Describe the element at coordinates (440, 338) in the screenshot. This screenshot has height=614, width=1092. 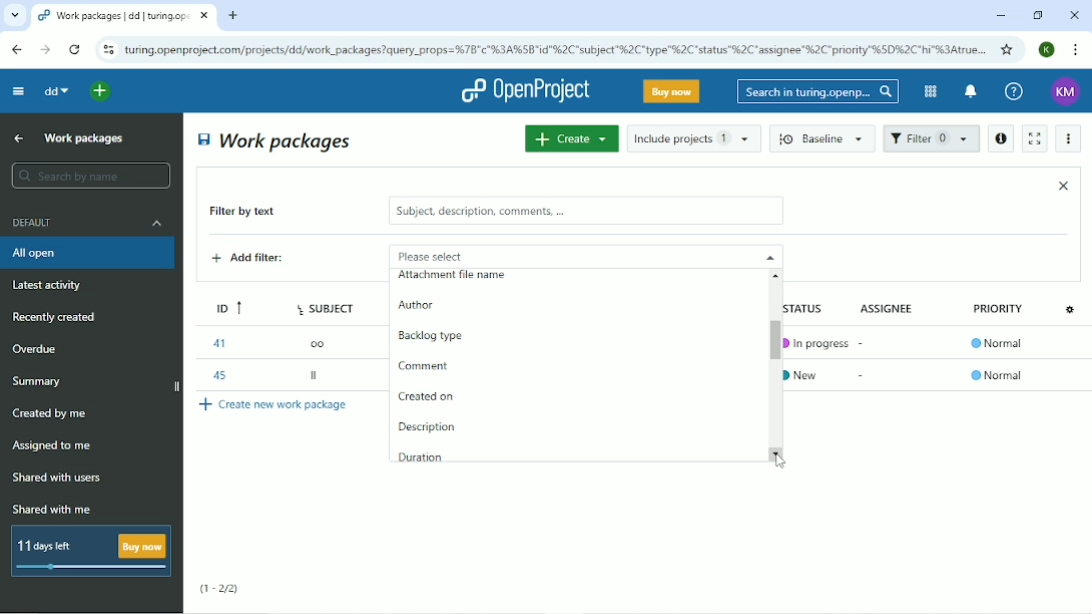
I see `Backlog type` at that location.